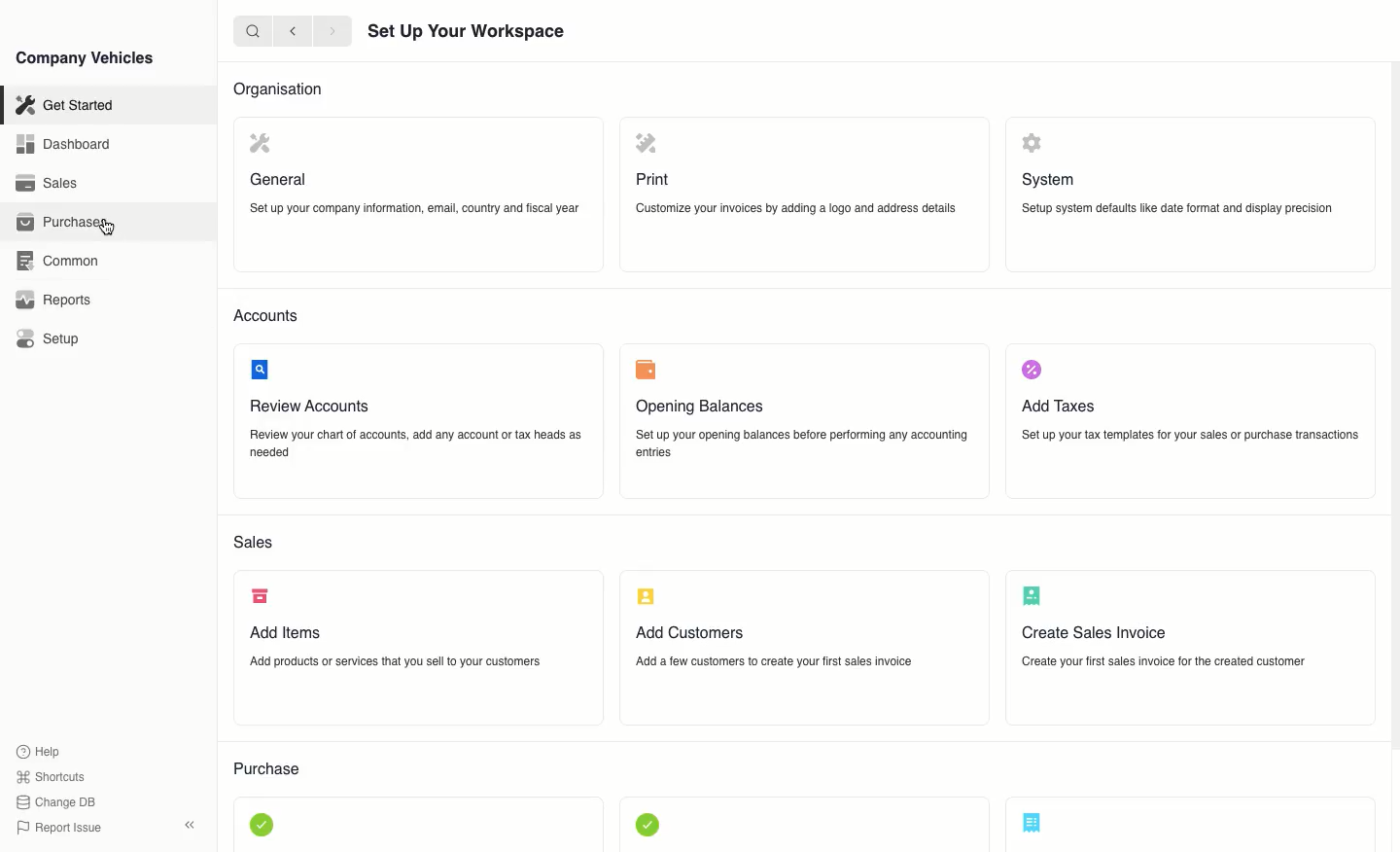  What do you see at coordinates (1033, 371) in the screenshot?
I see `icon` at bounding box center [1033, 371].